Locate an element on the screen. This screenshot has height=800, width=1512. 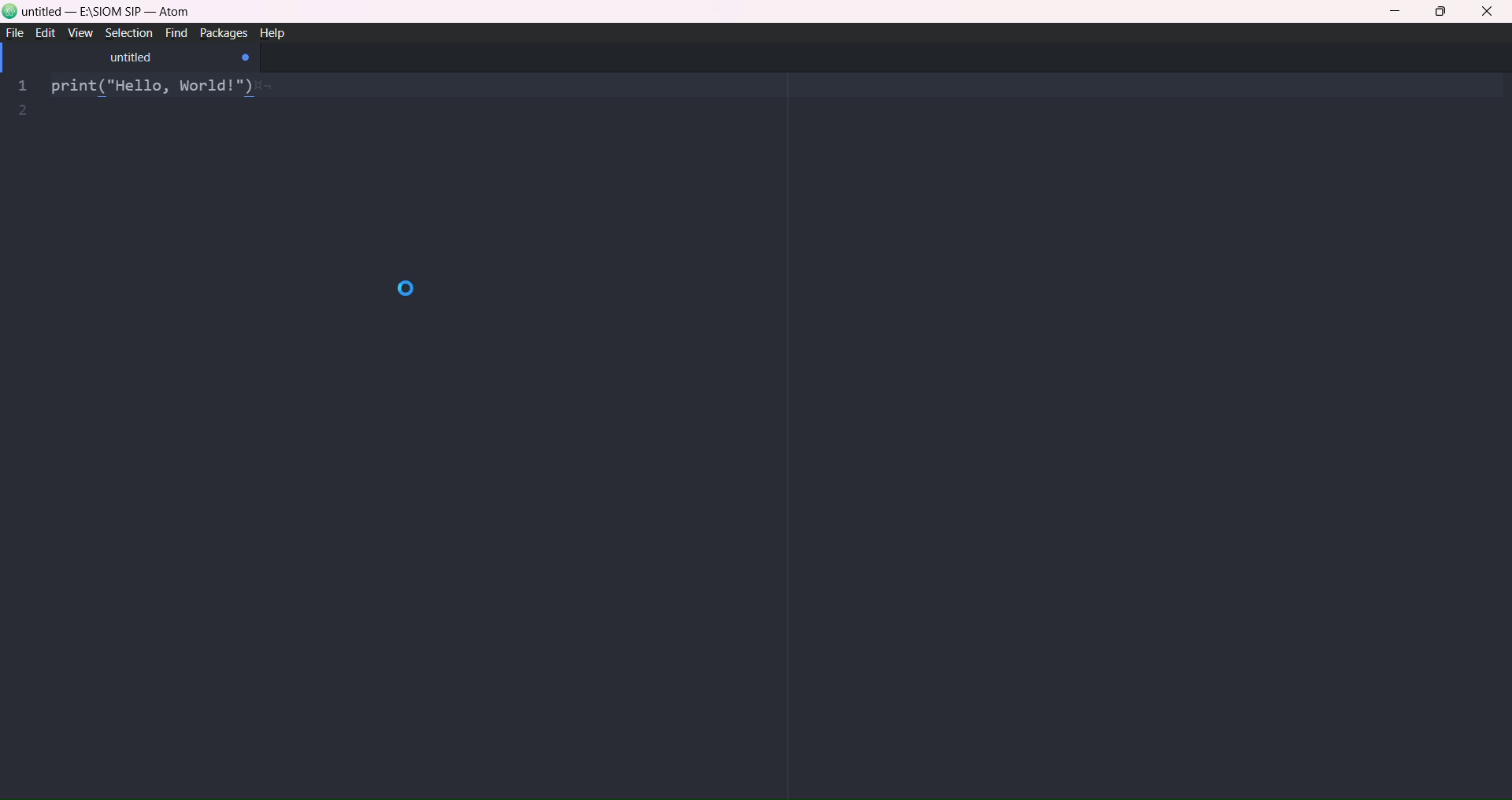
tab name is located at coordinates (128, 61).